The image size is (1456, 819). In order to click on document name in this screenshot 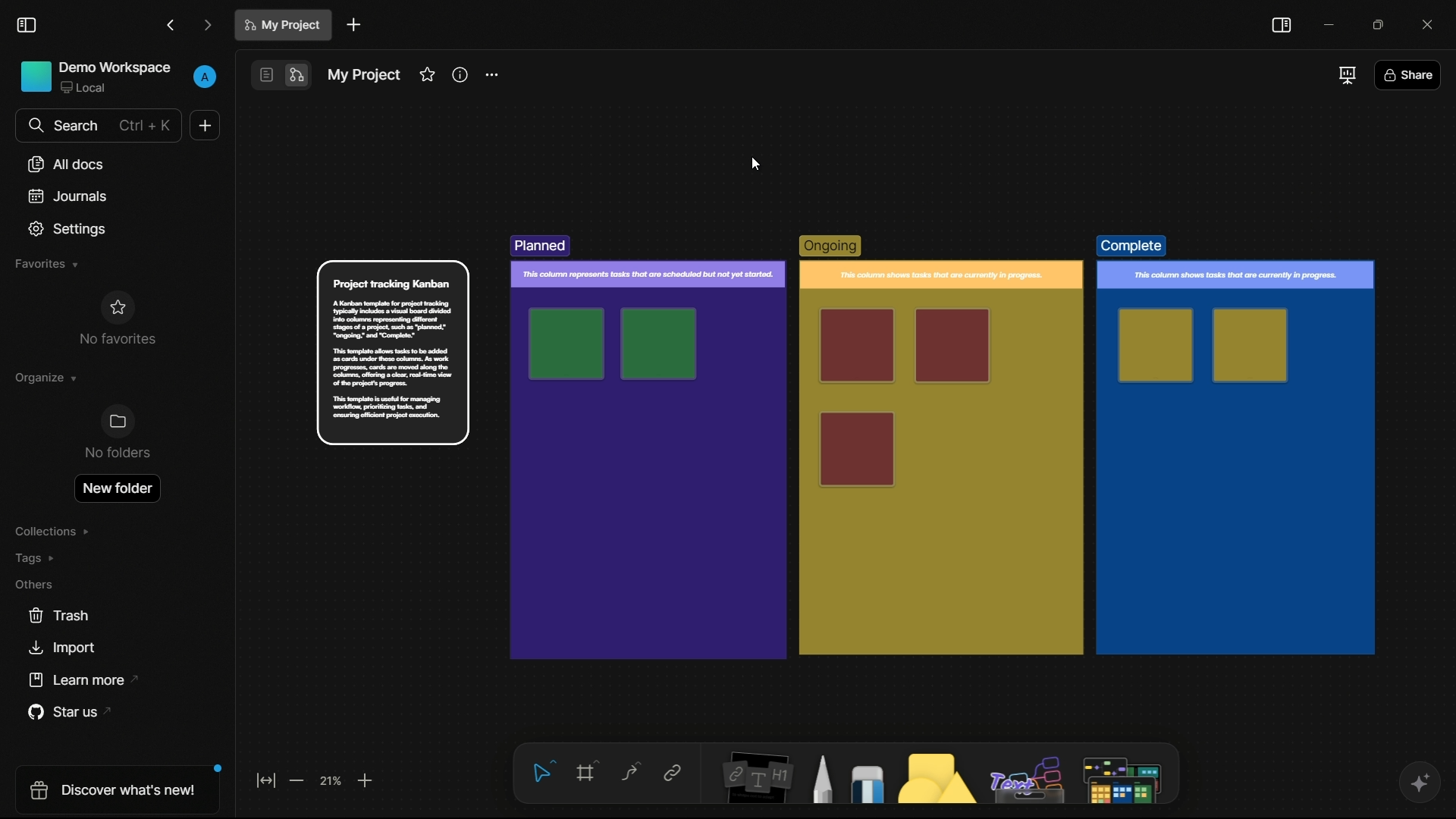, I will do `click(285, 25)`.